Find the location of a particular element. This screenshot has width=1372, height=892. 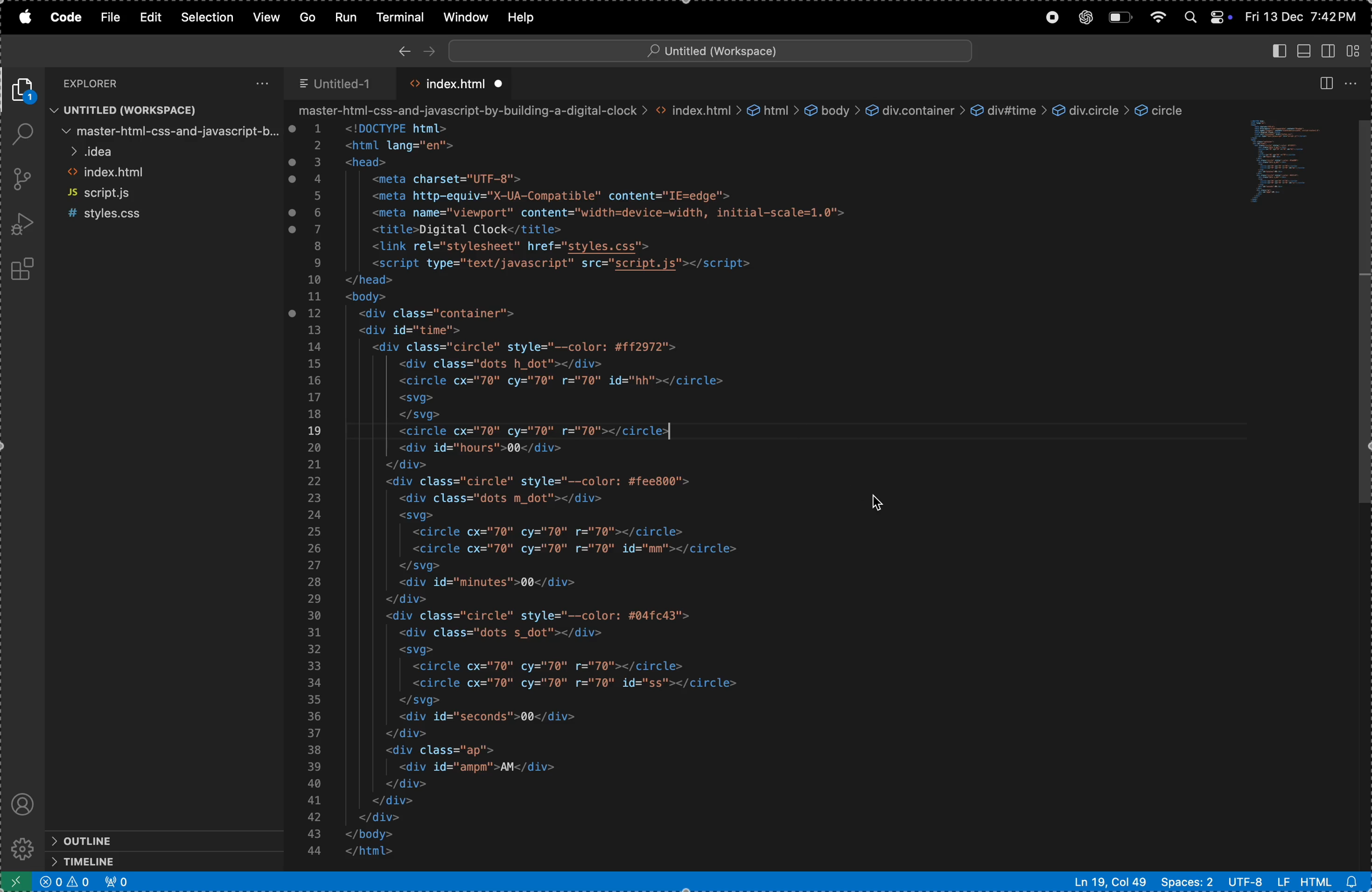

Line Number is located at coordinates (314, 489).